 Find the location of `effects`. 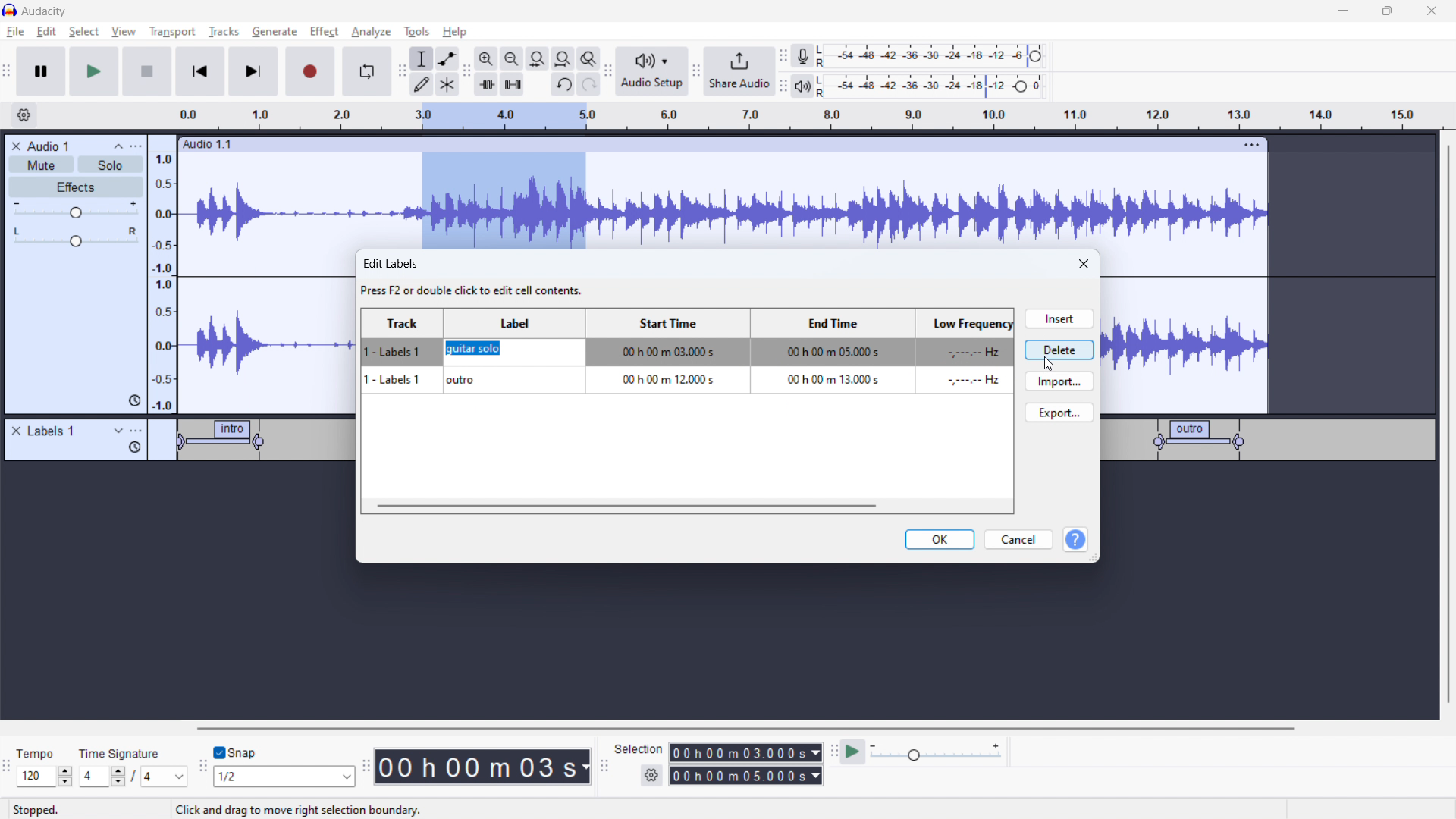

effects is located at coordinates (77, 187).